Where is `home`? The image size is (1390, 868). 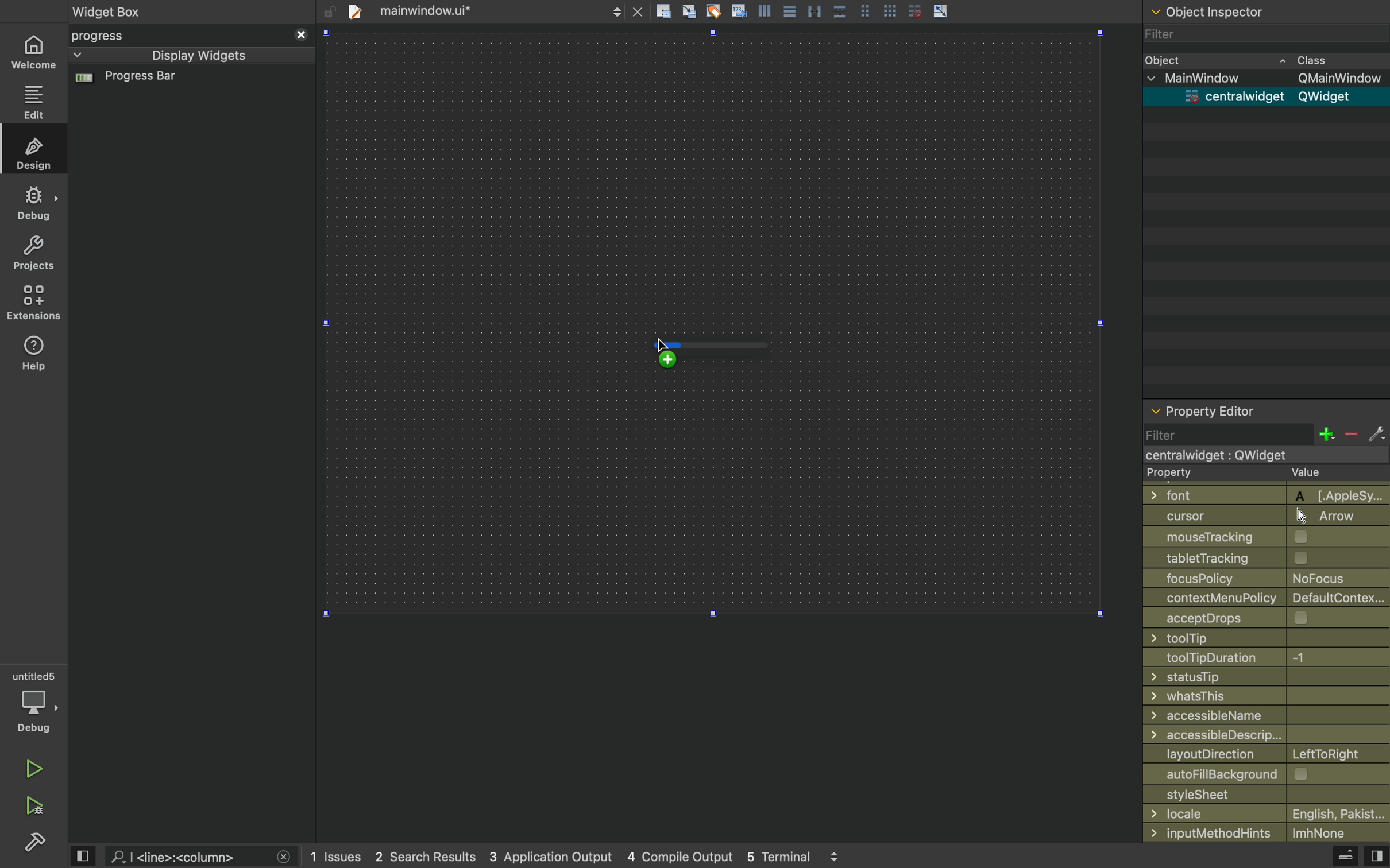
home is located at coordinates (33, 53).